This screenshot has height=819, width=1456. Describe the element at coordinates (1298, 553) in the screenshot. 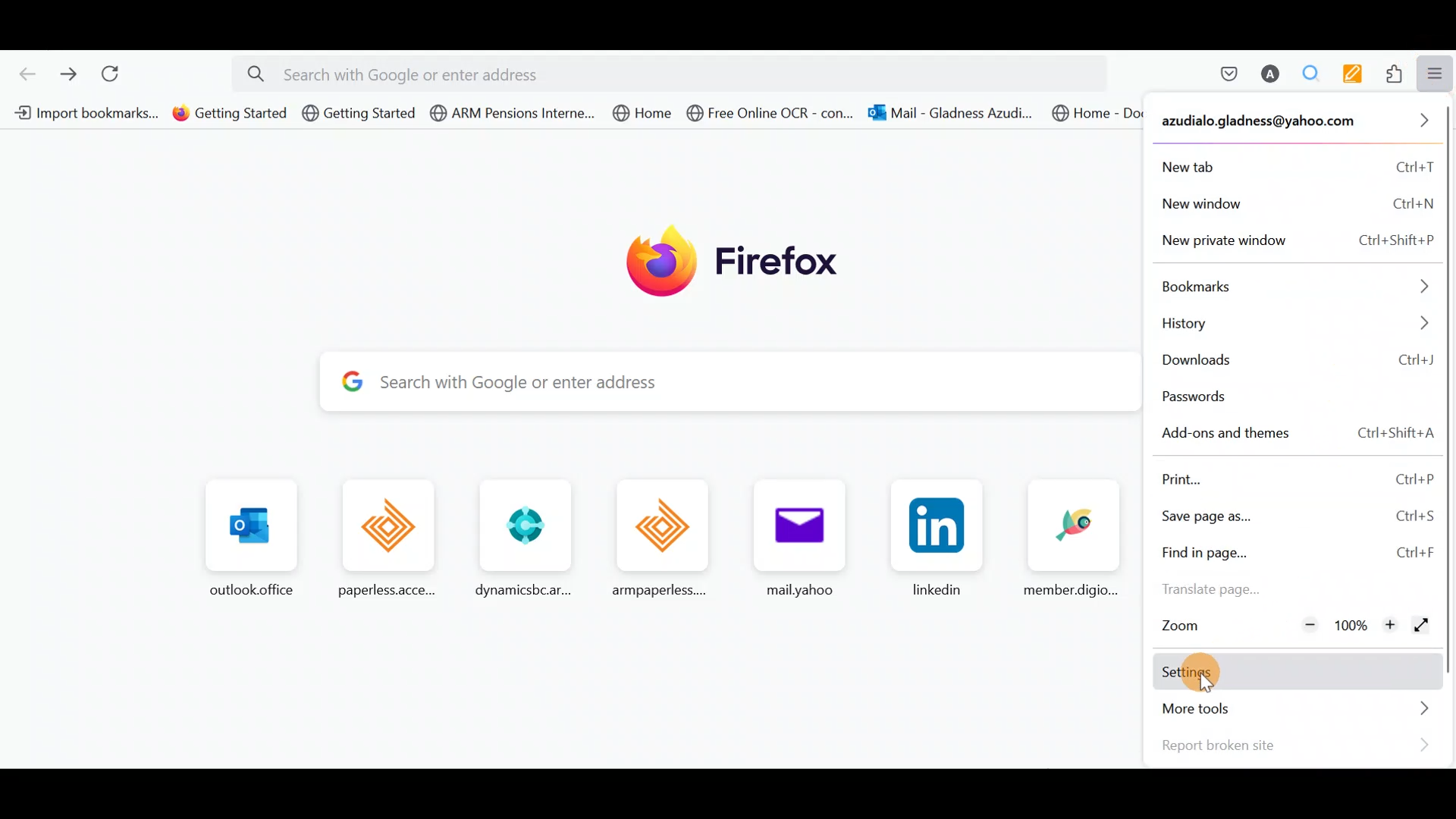

I see `Find in page` at that location.